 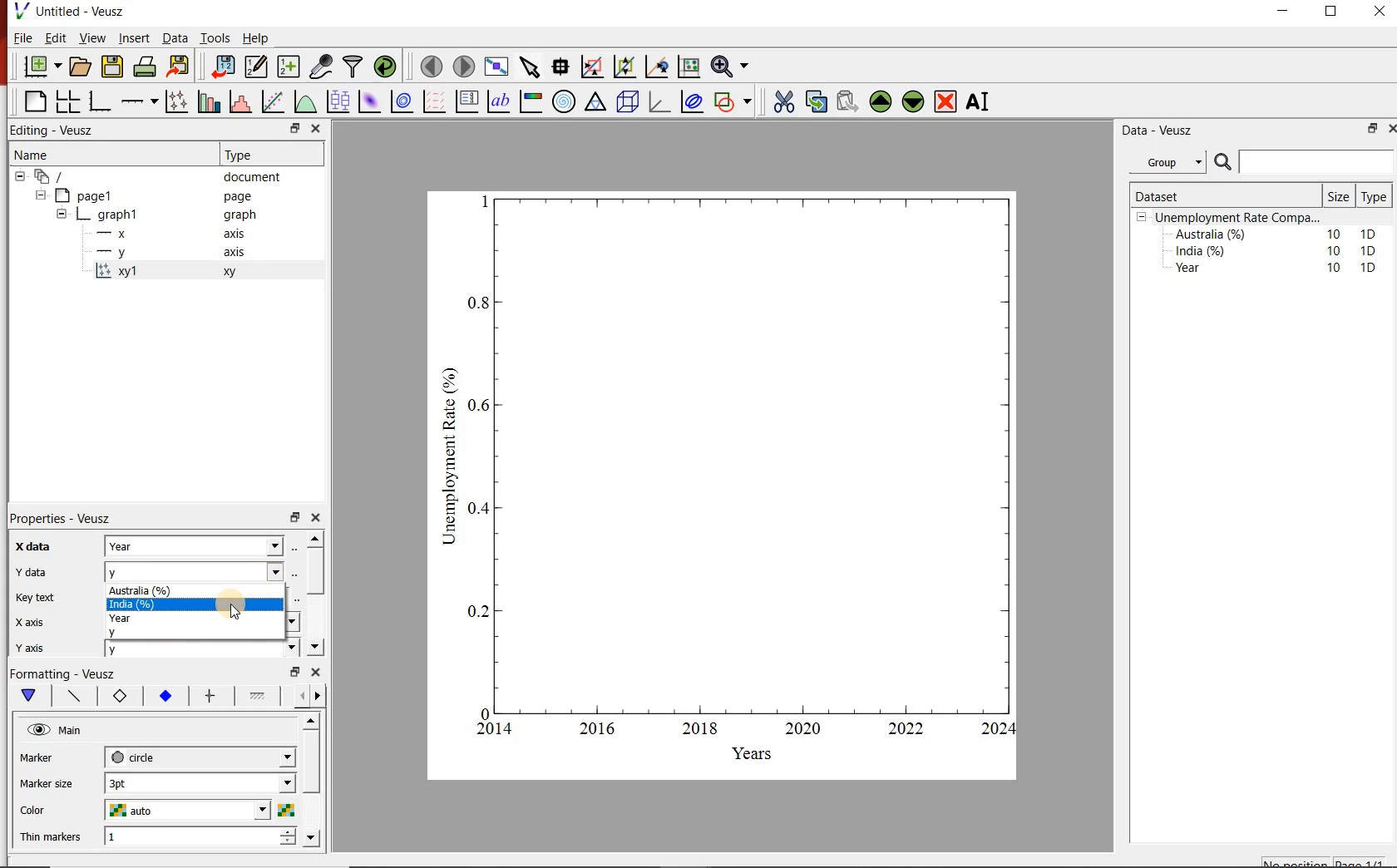 I want to click on collpase, so click(x=1142, y=218).